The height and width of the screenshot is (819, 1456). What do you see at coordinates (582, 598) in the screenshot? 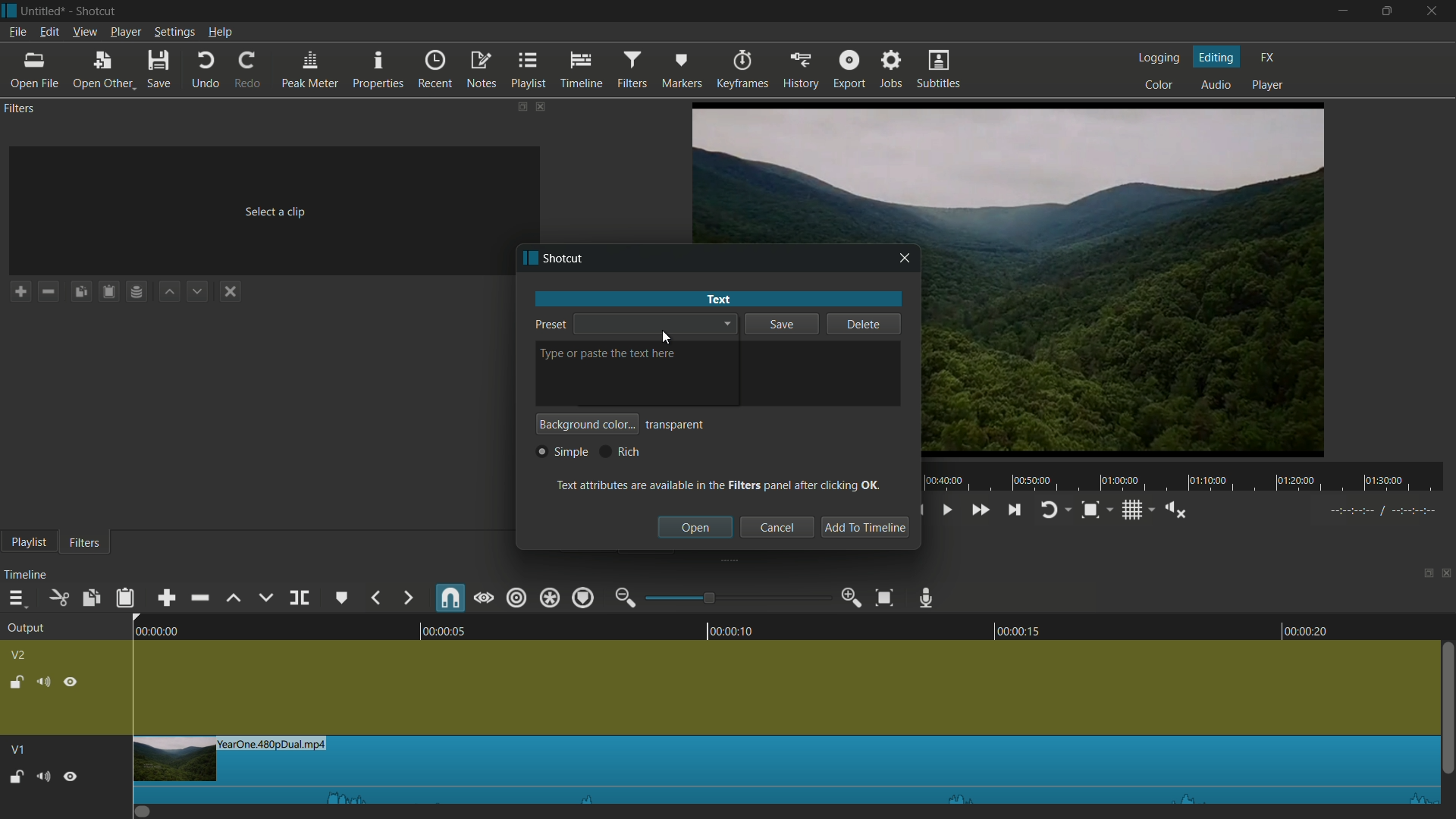
I see `ripple markers` at bounding box center [582, 598].